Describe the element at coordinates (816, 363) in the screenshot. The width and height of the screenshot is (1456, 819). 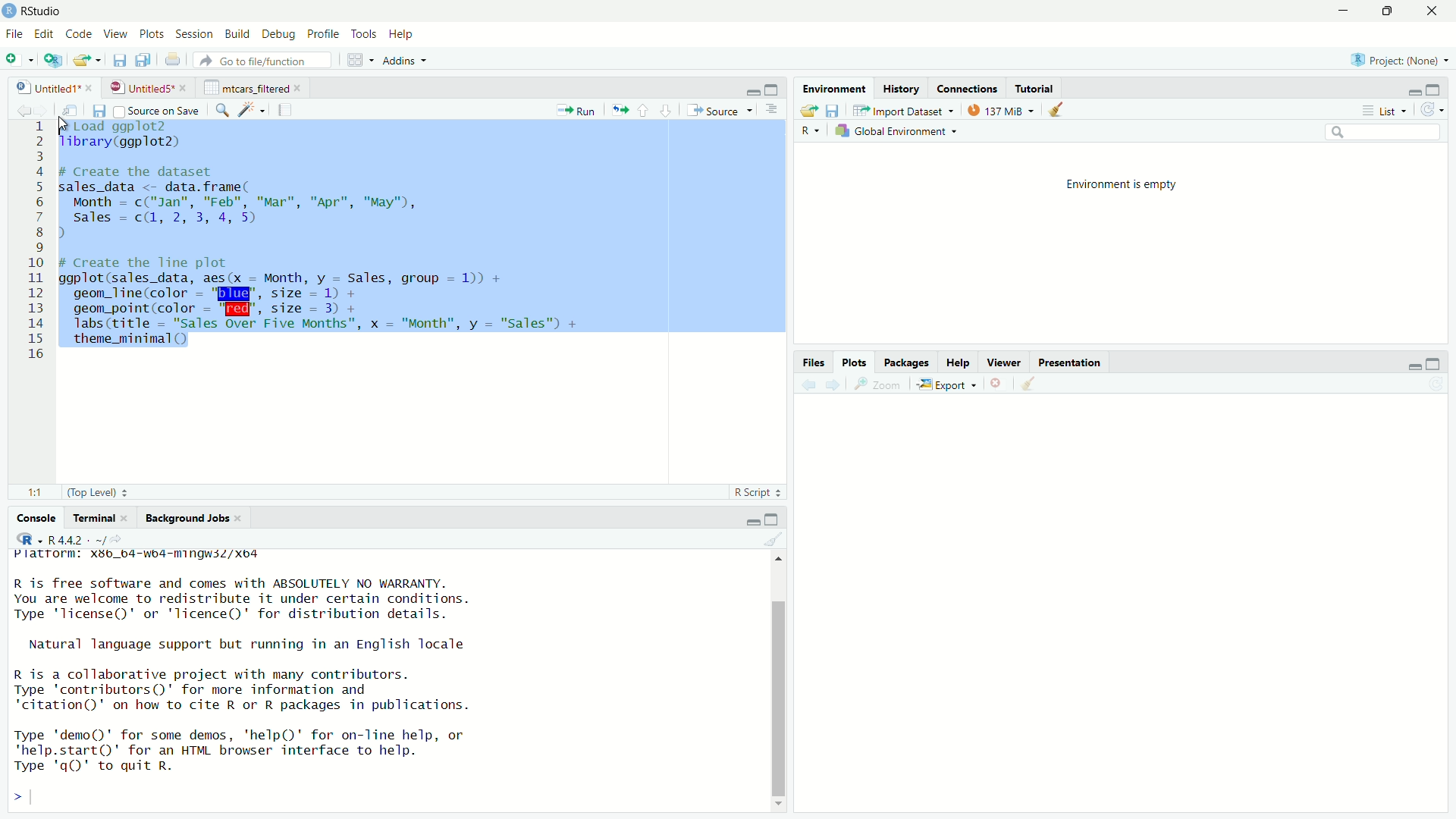
I see `files` at that location.